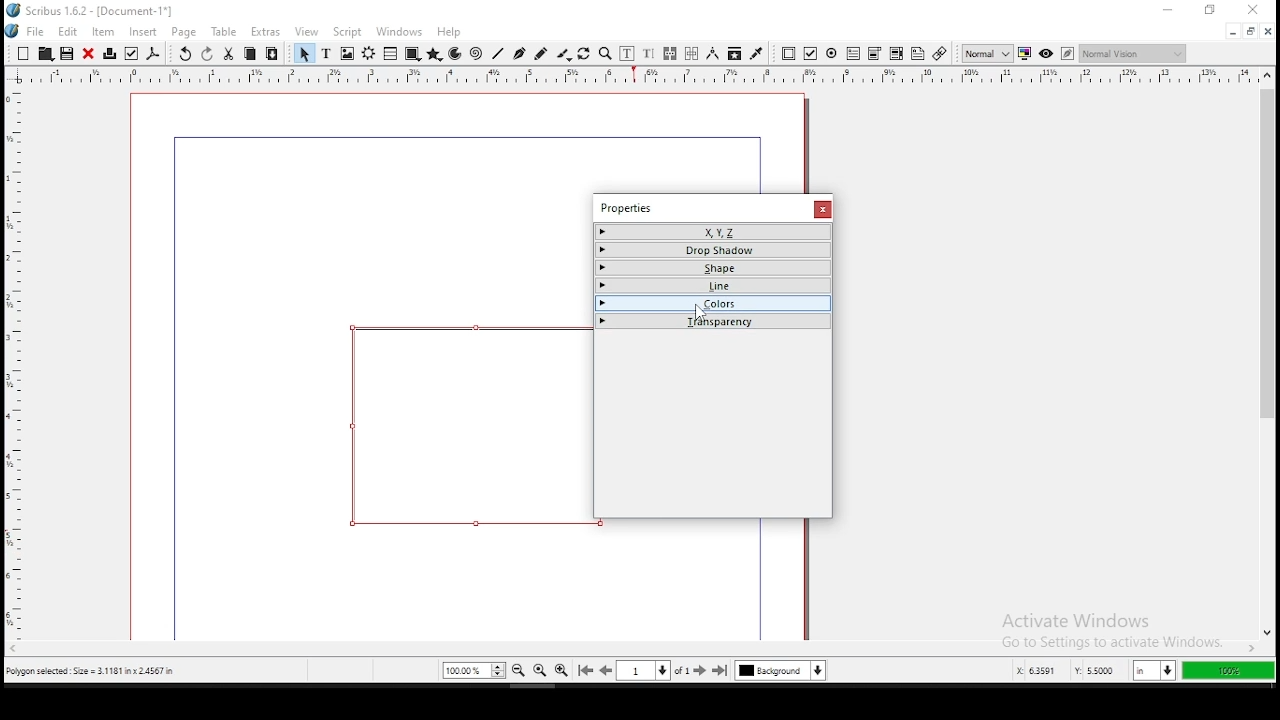 The width and height of the screenshot is (1280, 720). I want to click on go to last page, so click(722, 671).